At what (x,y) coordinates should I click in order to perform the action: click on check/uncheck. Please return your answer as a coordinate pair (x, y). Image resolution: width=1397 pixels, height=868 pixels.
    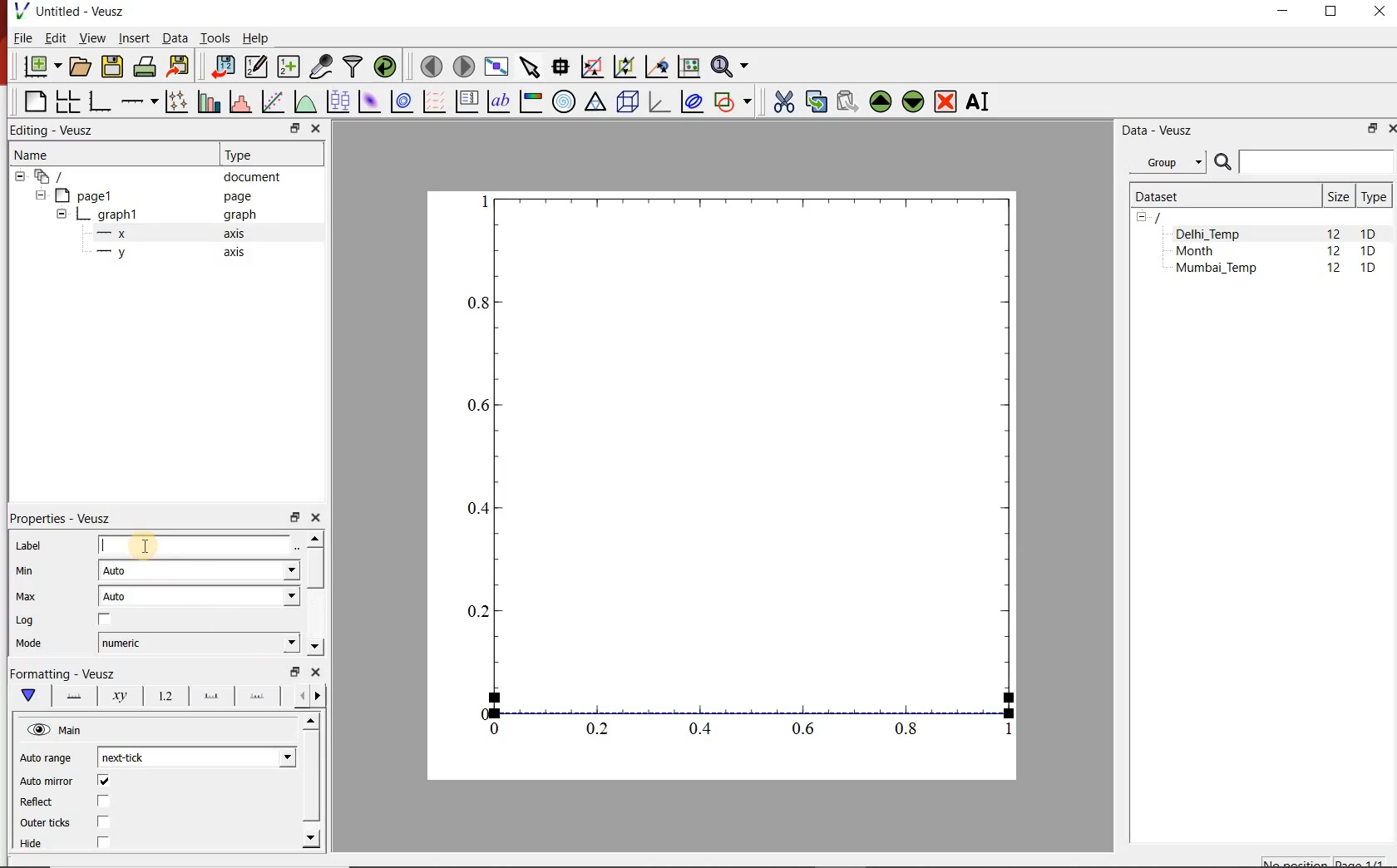
    Looking at the image, I should click on (104, 802).